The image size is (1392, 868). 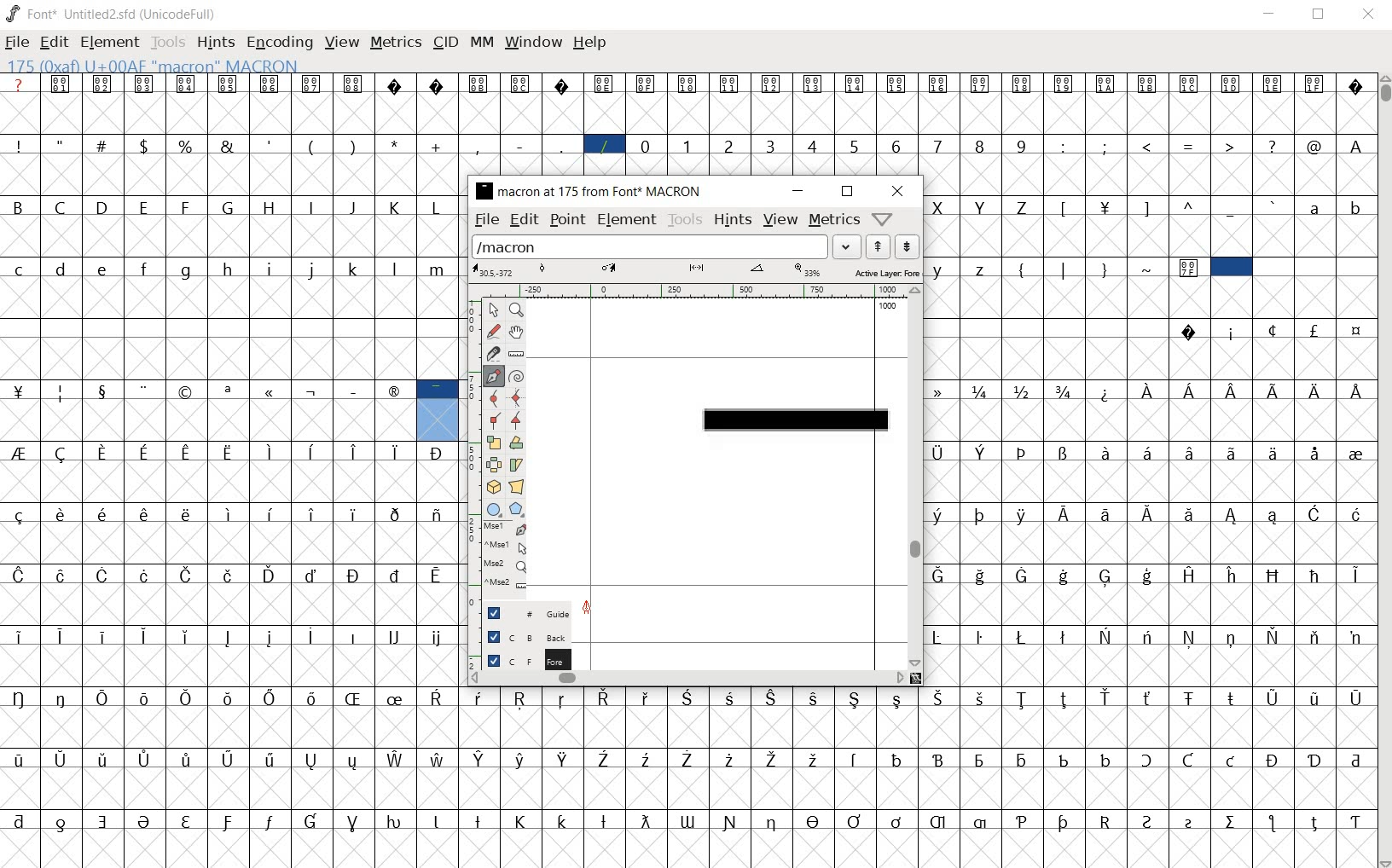 What do you see at coordinates (800, 192) in the screenshot?
I see `minimize` at bounding box center [800, 192].